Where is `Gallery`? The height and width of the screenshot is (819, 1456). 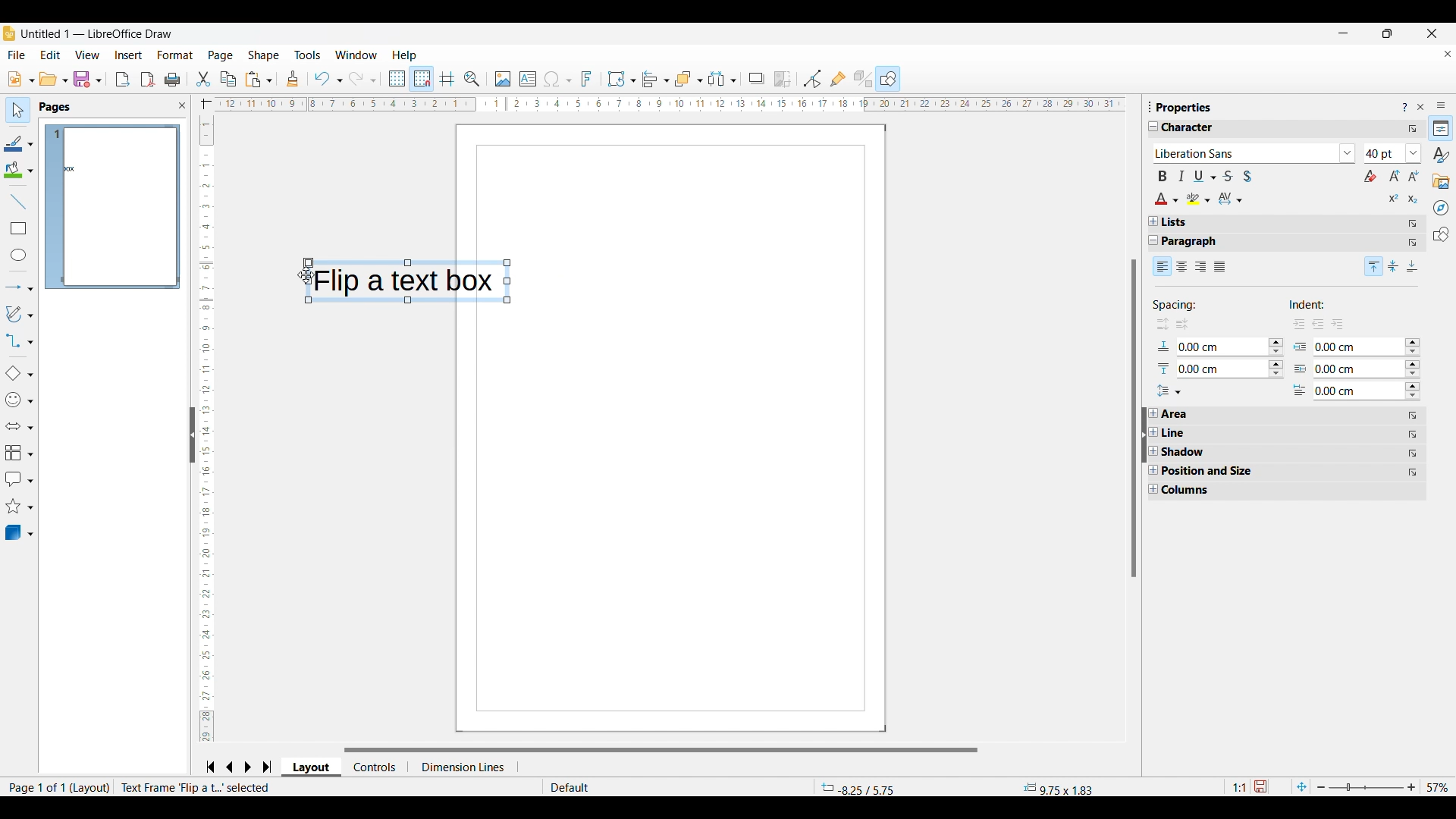 Gallery is located at coordinates (1442, 182).